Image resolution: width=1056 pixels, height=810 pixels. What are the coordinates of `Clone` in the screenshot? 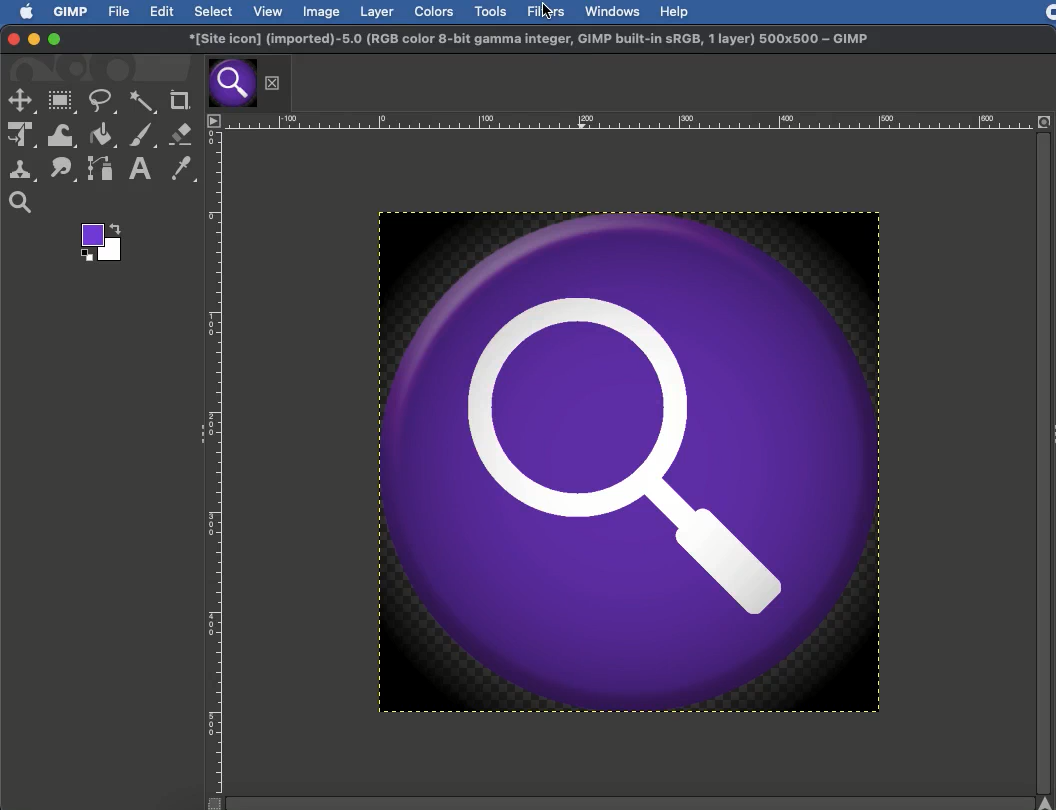 It's located at (23, 170).